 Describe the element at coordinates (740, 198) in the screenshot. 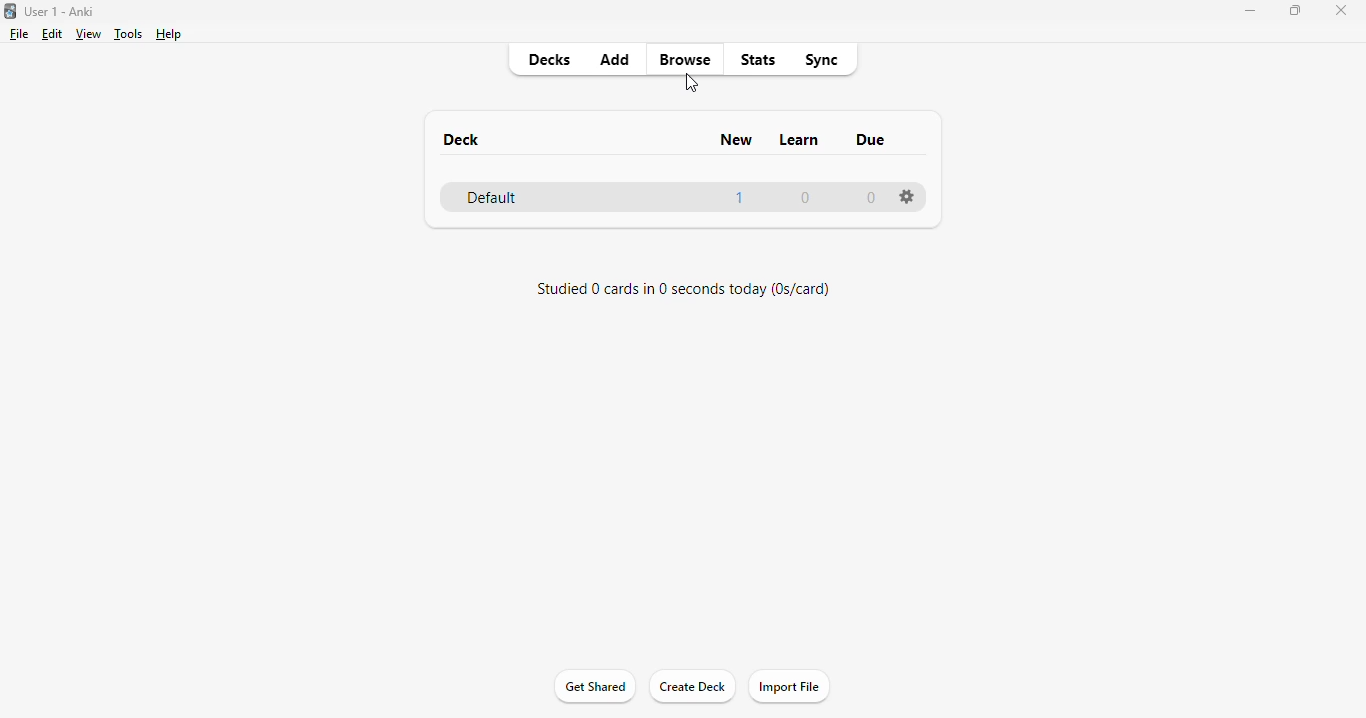

I see `1` at that location.